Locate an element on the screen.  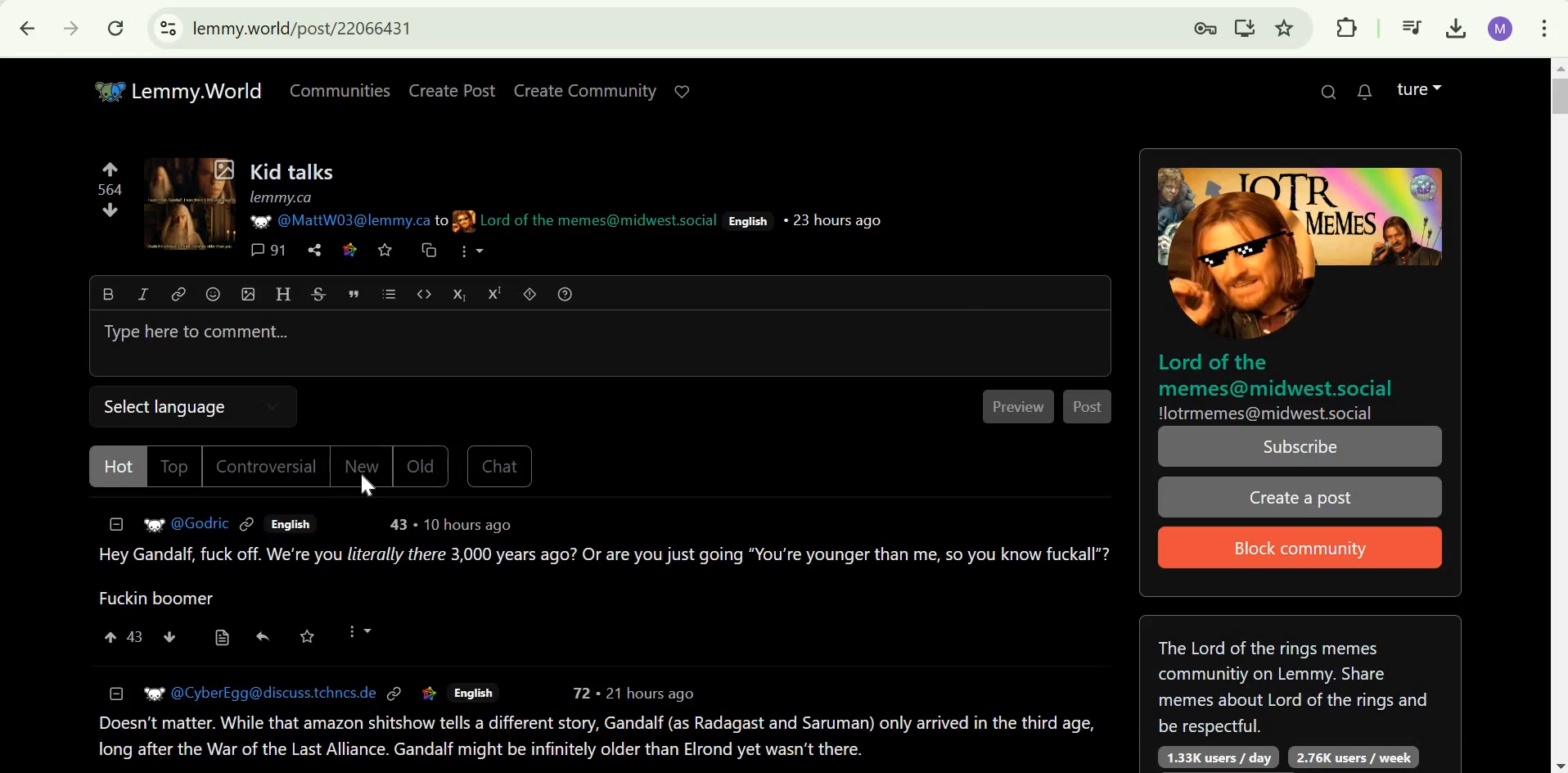
Select language is located at coordinates (161, 405).